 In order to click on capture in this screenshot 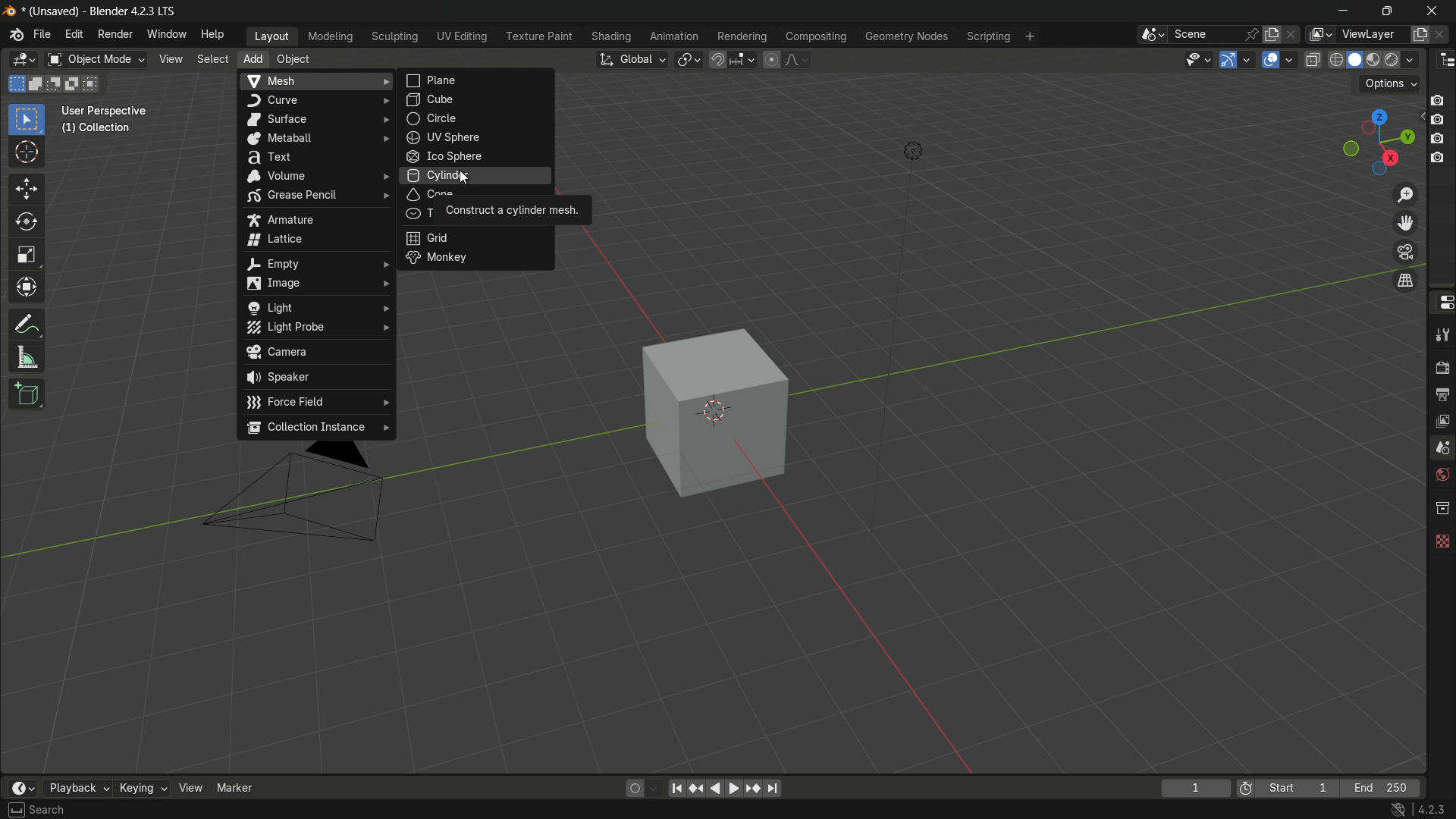, I will do `click(1442, 99)`.